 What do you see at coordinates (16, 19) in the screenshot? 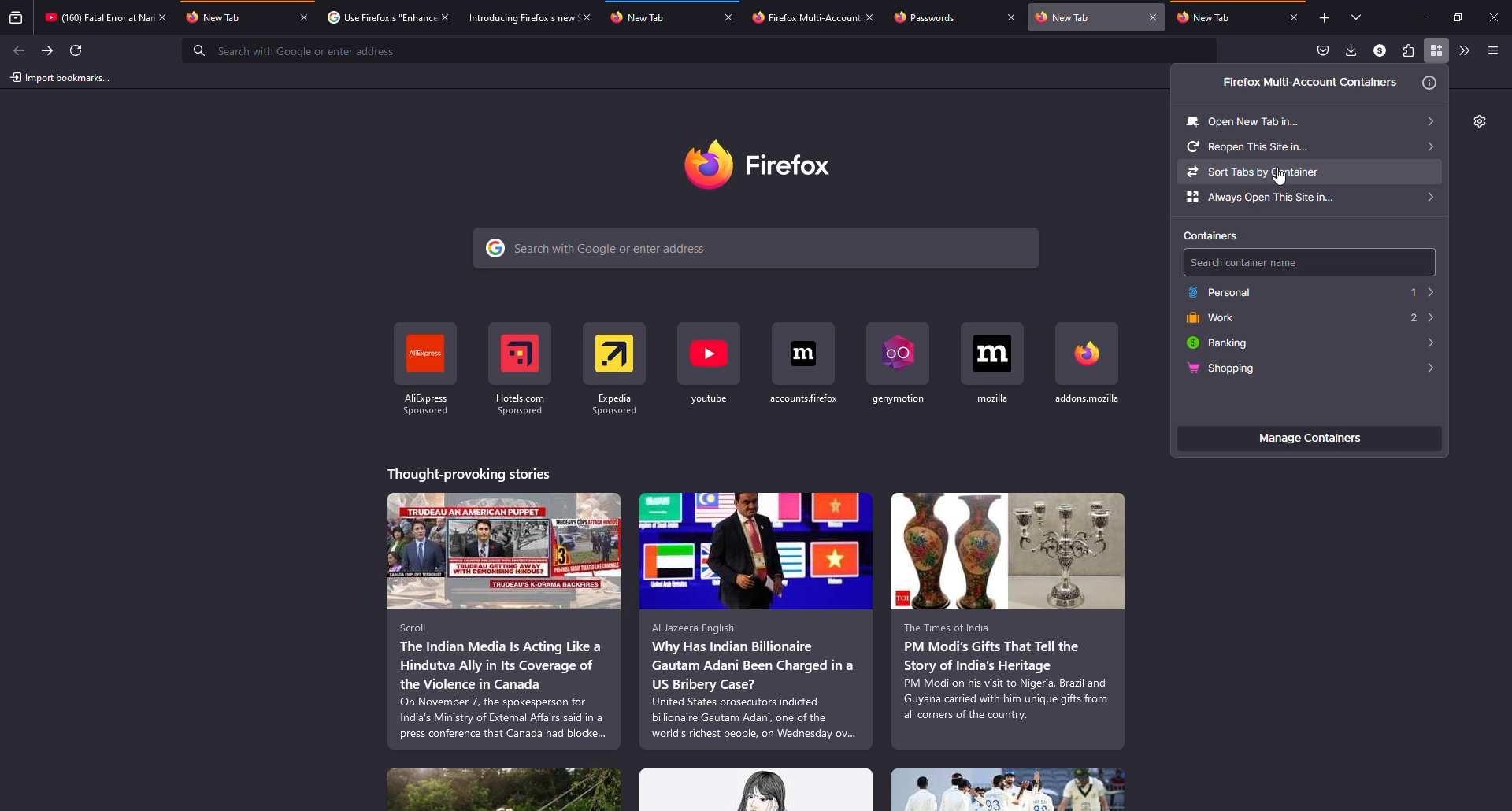
I see `view recent` at bounding box center [16, 19].